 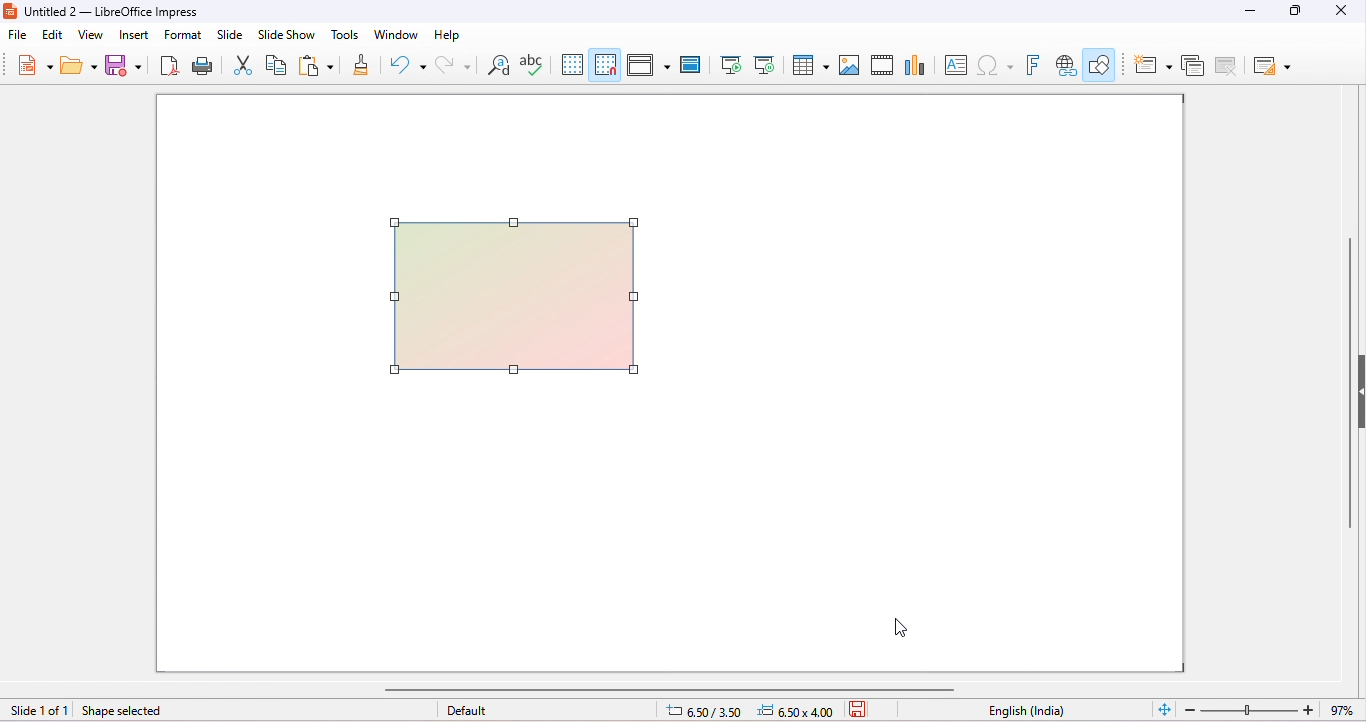 I want to click on 6.50x4.00 (object size), so click(x=799, y=711).